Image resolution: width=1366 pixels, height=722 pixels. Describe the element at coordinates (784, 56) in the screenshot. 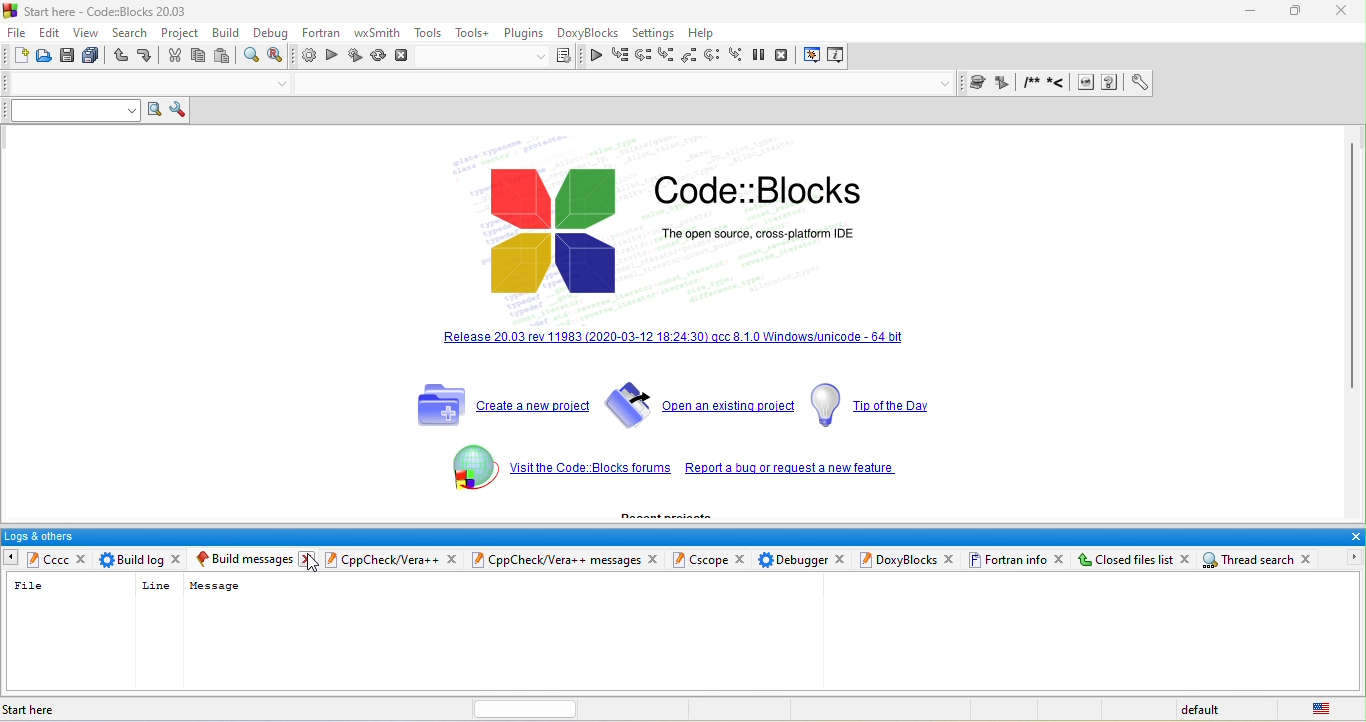

I see `stop debugger` at that location.